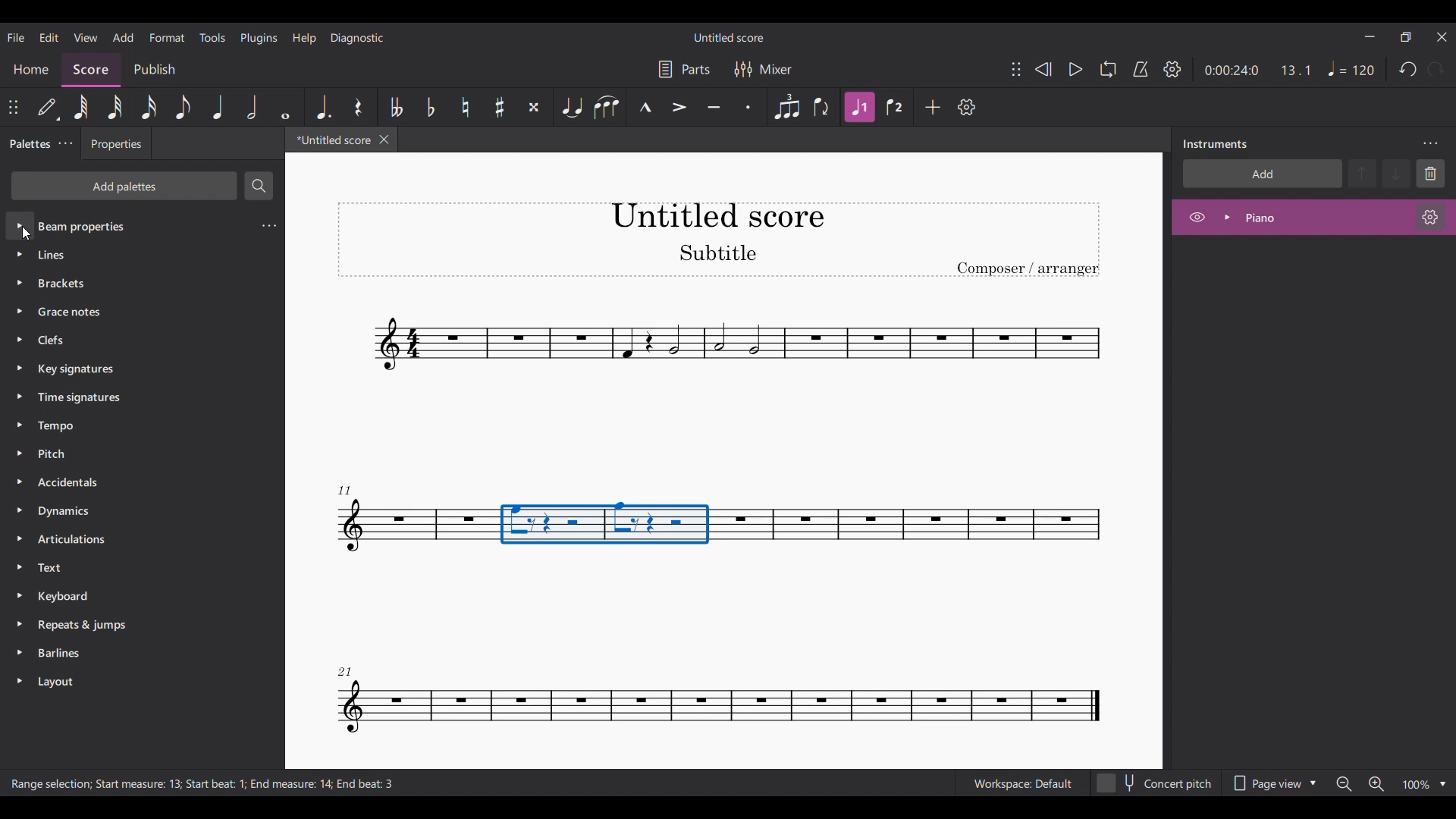 Image resolution: width=1456 pixels, height=819 pixels. I want to click on Selected notes highlighted, so click(606, 523).